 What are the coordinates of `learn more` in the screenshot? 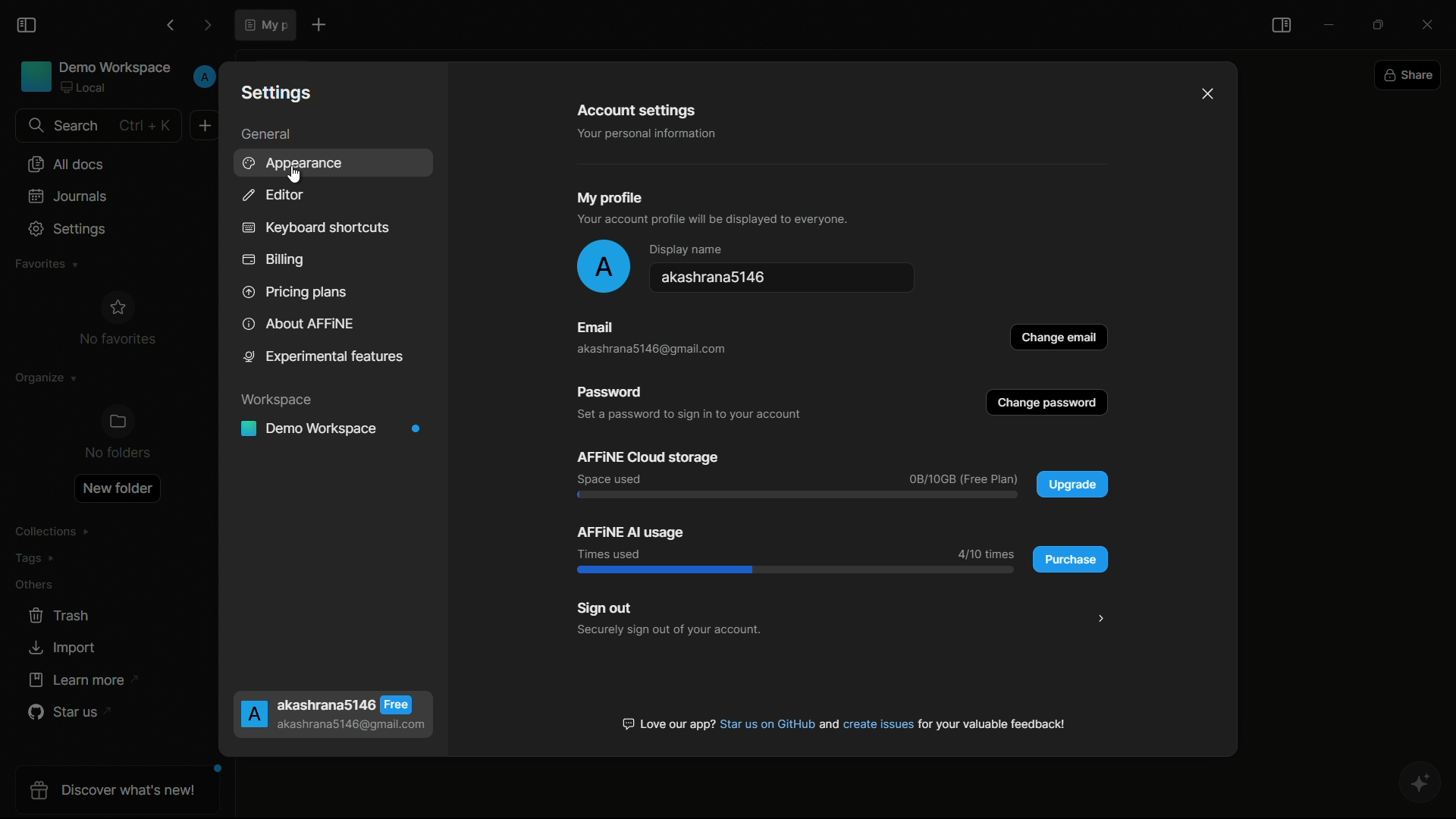 It's located at (79, 680).